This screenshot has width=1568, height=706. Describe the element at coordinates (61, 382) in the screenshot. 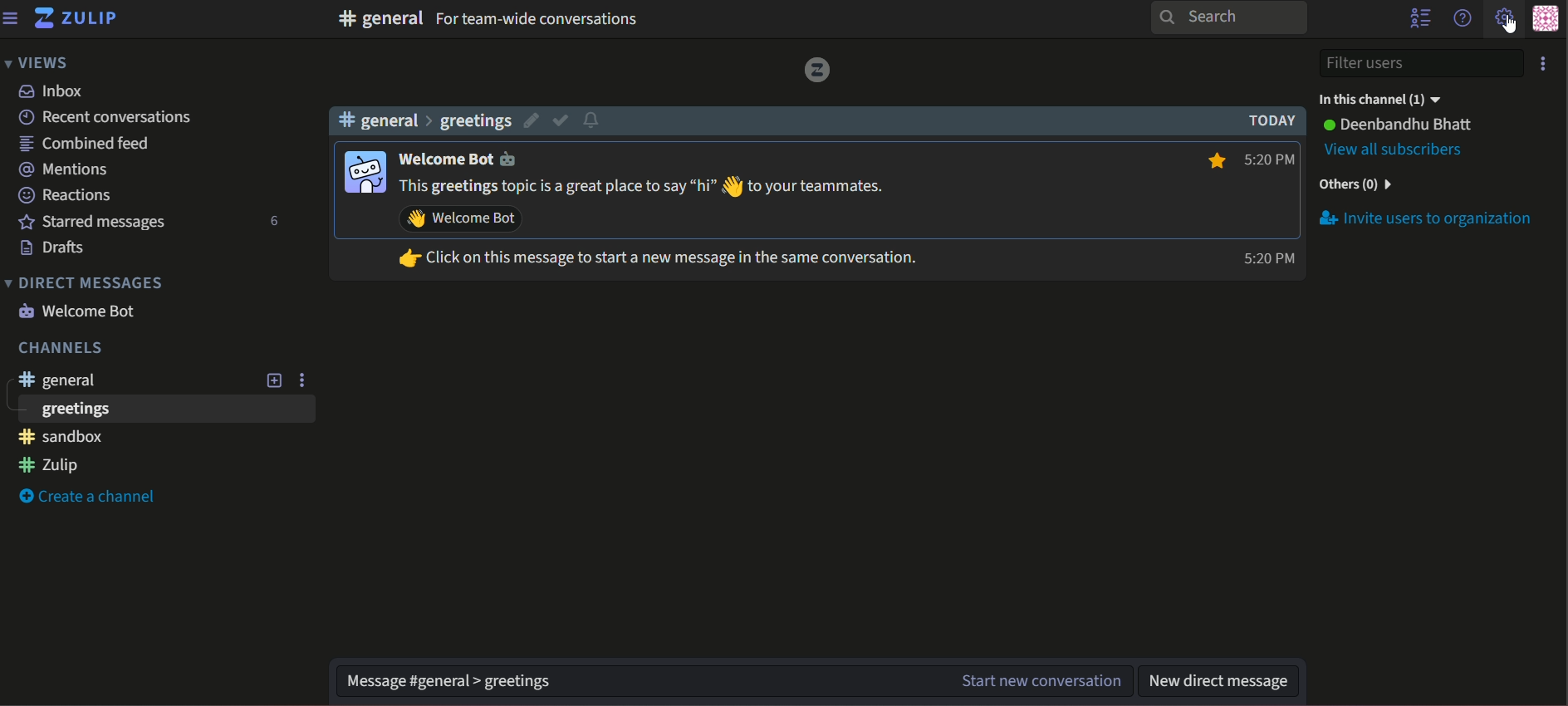

I see `general` at that location.